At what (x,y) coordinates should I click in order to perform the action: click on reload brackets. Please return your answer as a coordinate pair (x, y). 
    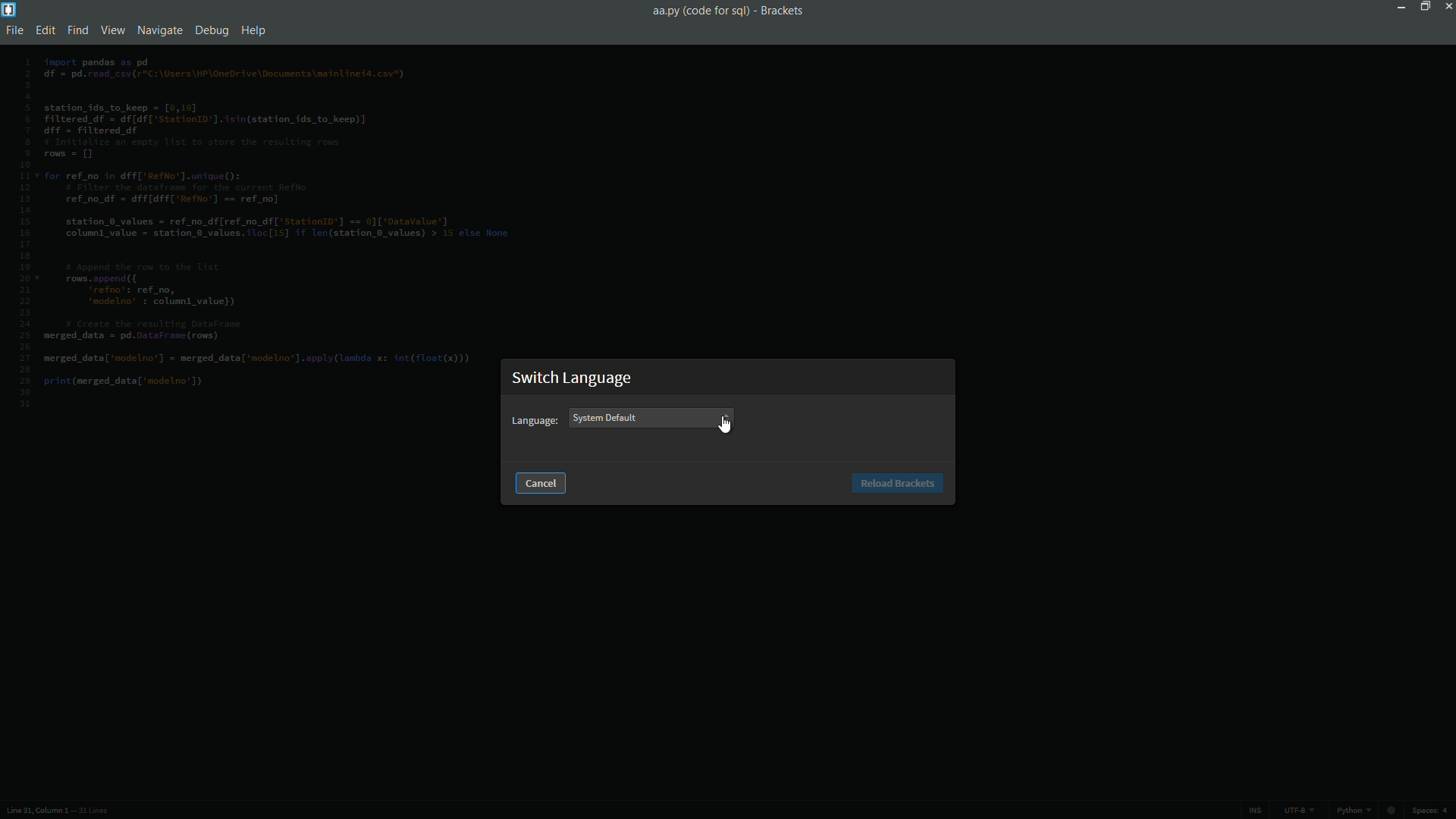
    Looking at the image, I should click on (898, 484).